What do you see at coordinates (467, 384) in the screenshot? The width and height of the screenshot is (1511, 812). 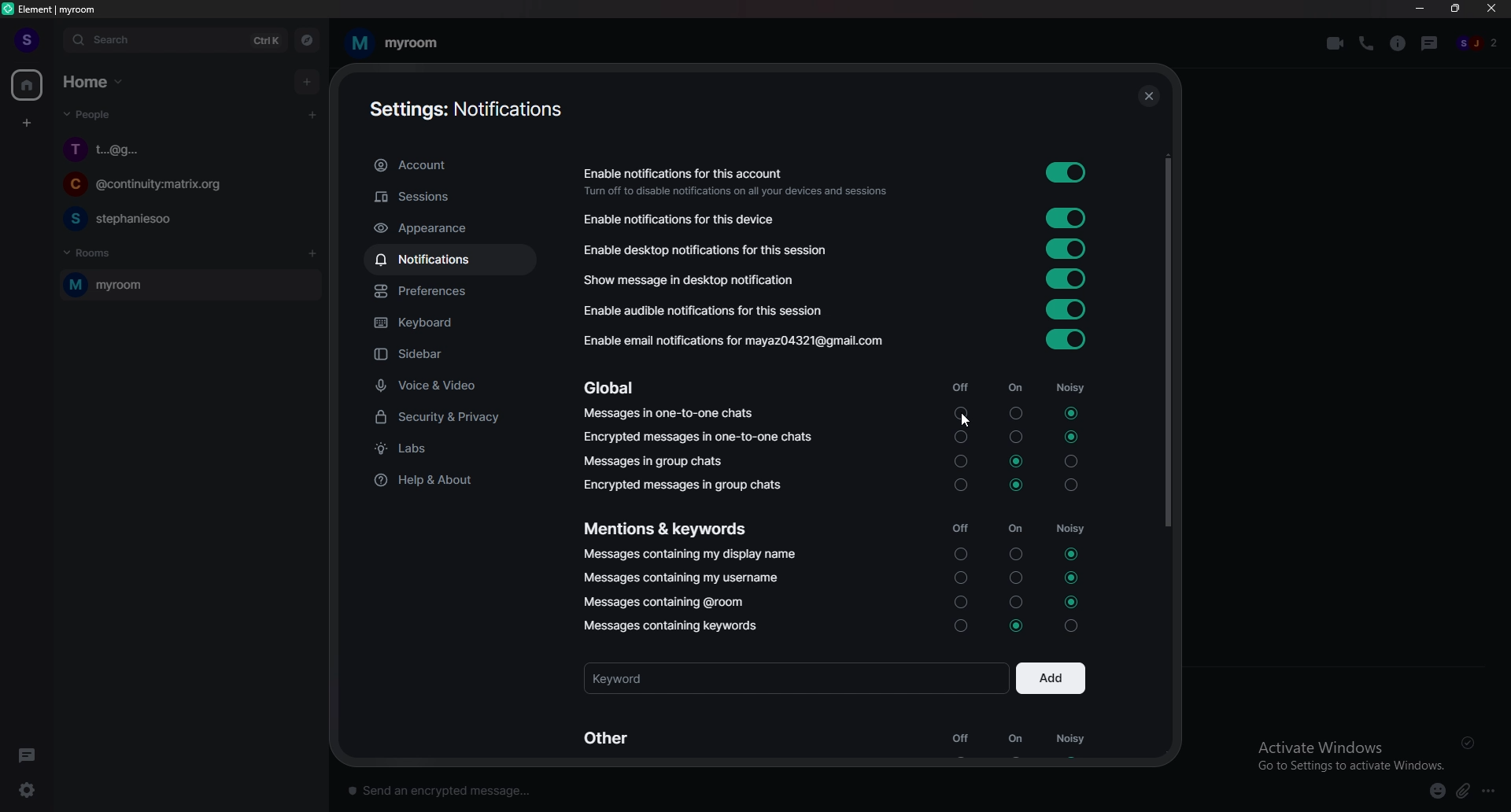 I see `voice and video` at bounding box center [467, 384].